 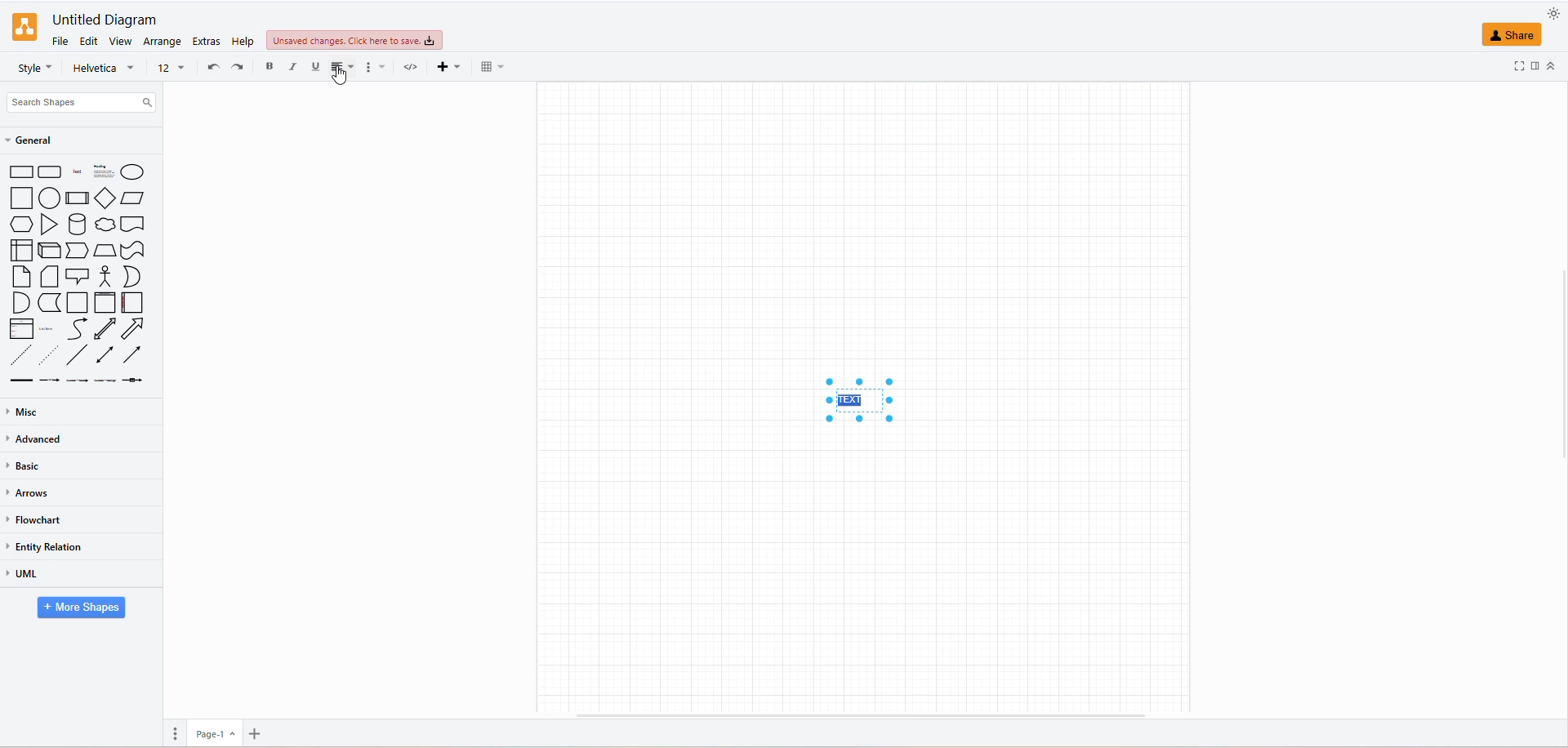 What do you see at coordinates (339, 77) in the screenshot?
I see `cursor` at bounding box center [339, 77].